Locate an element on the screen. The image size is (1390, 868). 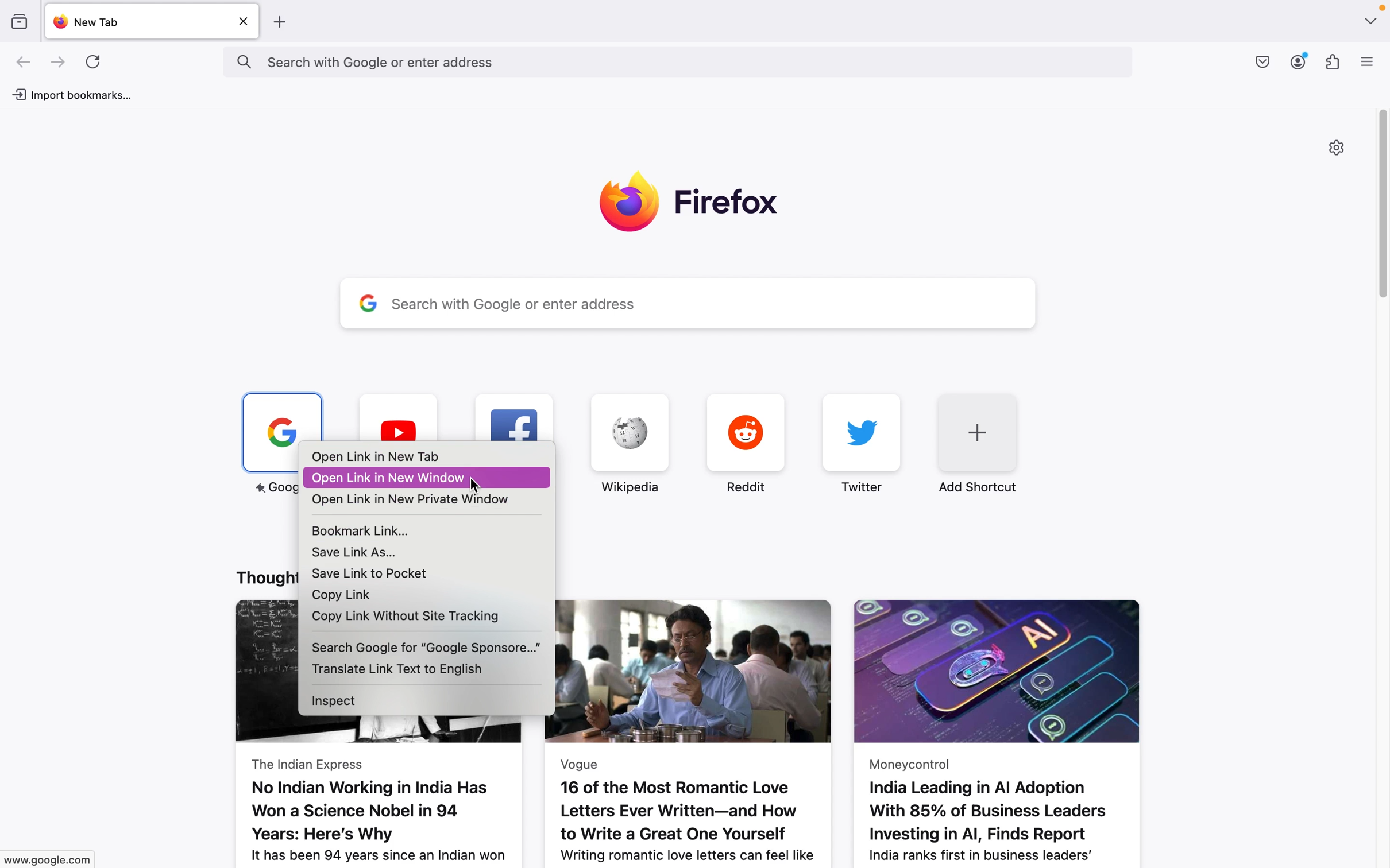
search google for is located at coordinates (424, 649).